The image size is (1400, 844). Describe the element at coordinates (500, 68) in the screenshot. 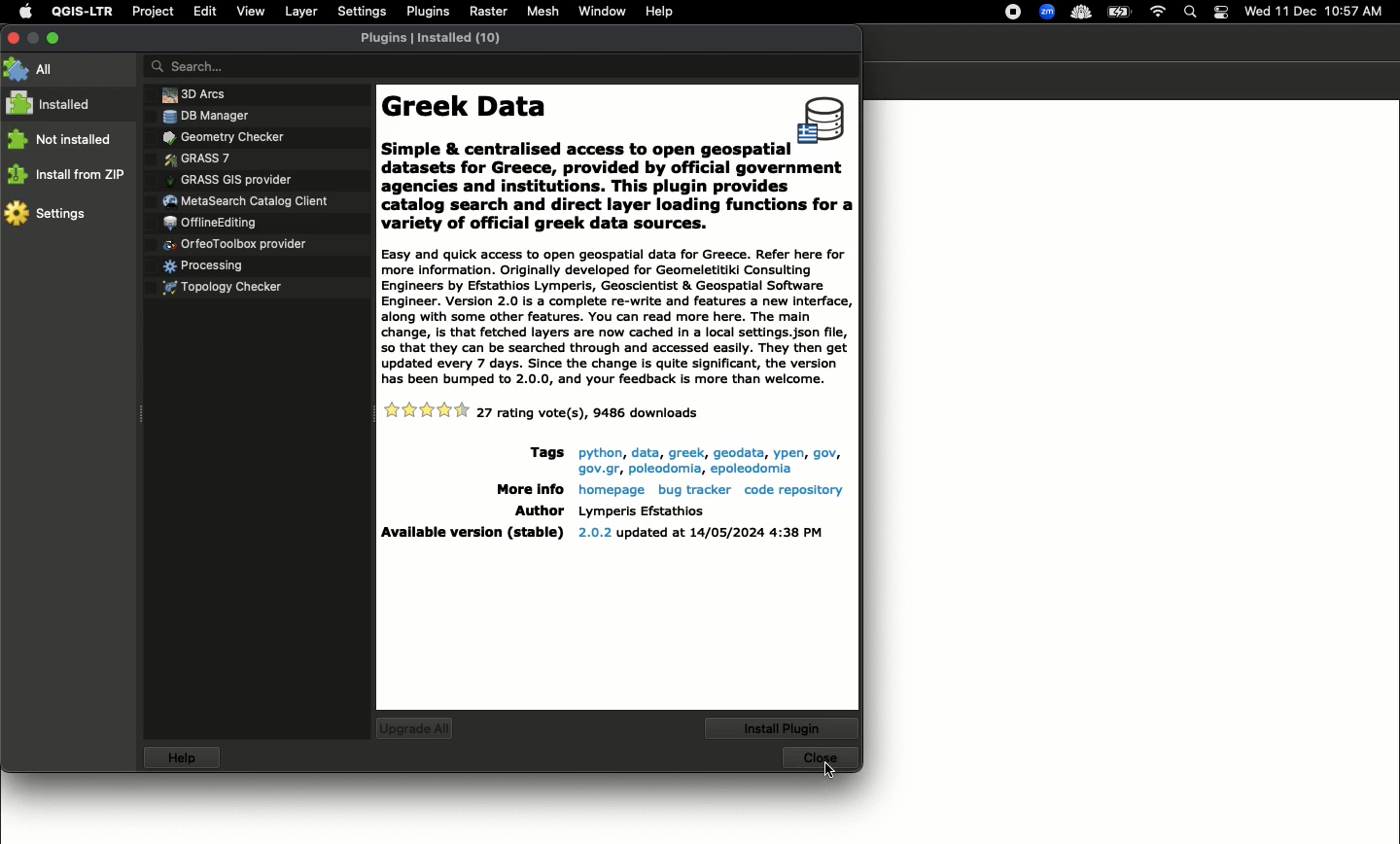

I see `Search` at that location.